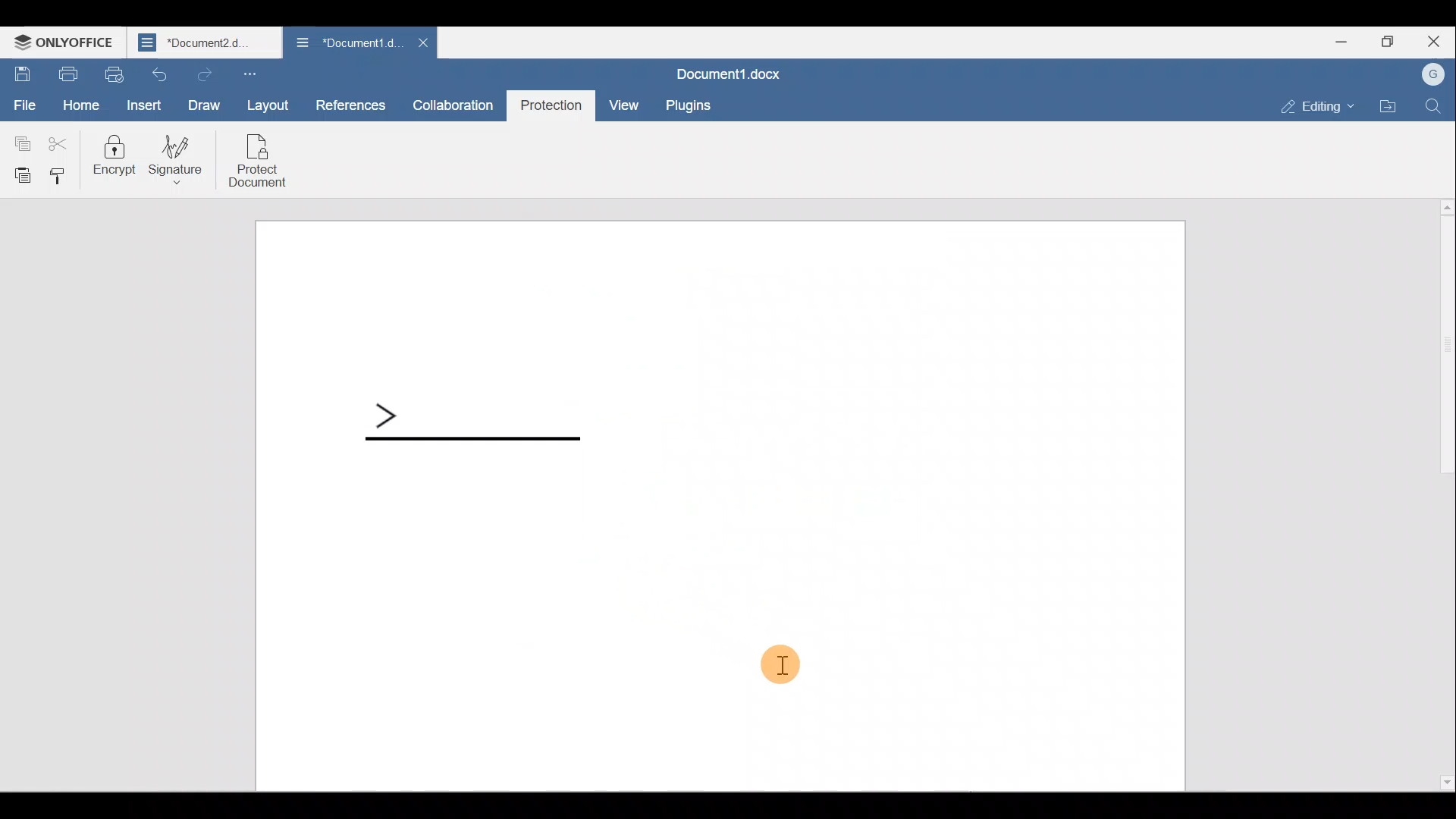 The image size is (1456, 819). Describe the element at coordinates (792, 664) in the screenshot. I see `Cursor` at that location.